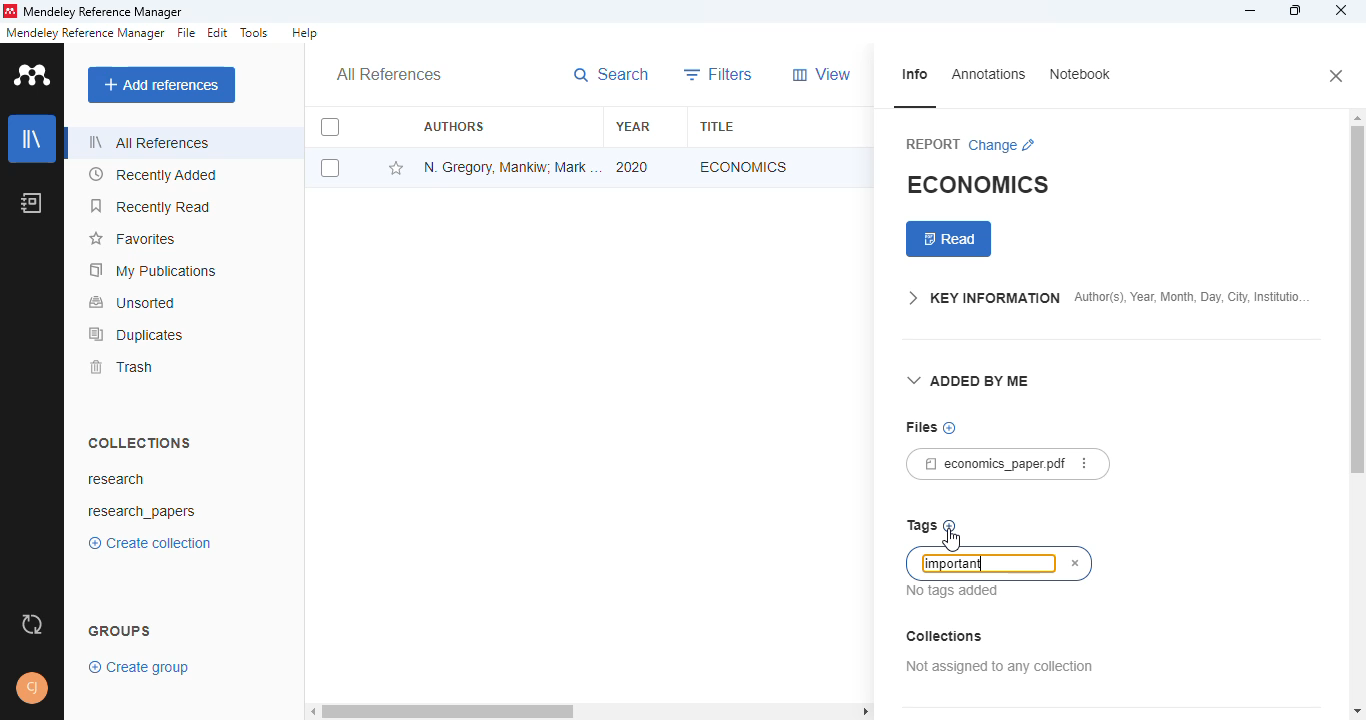  Describe the element at coordinates (989, 75) in the screenshot. I see `annotations` at that location.